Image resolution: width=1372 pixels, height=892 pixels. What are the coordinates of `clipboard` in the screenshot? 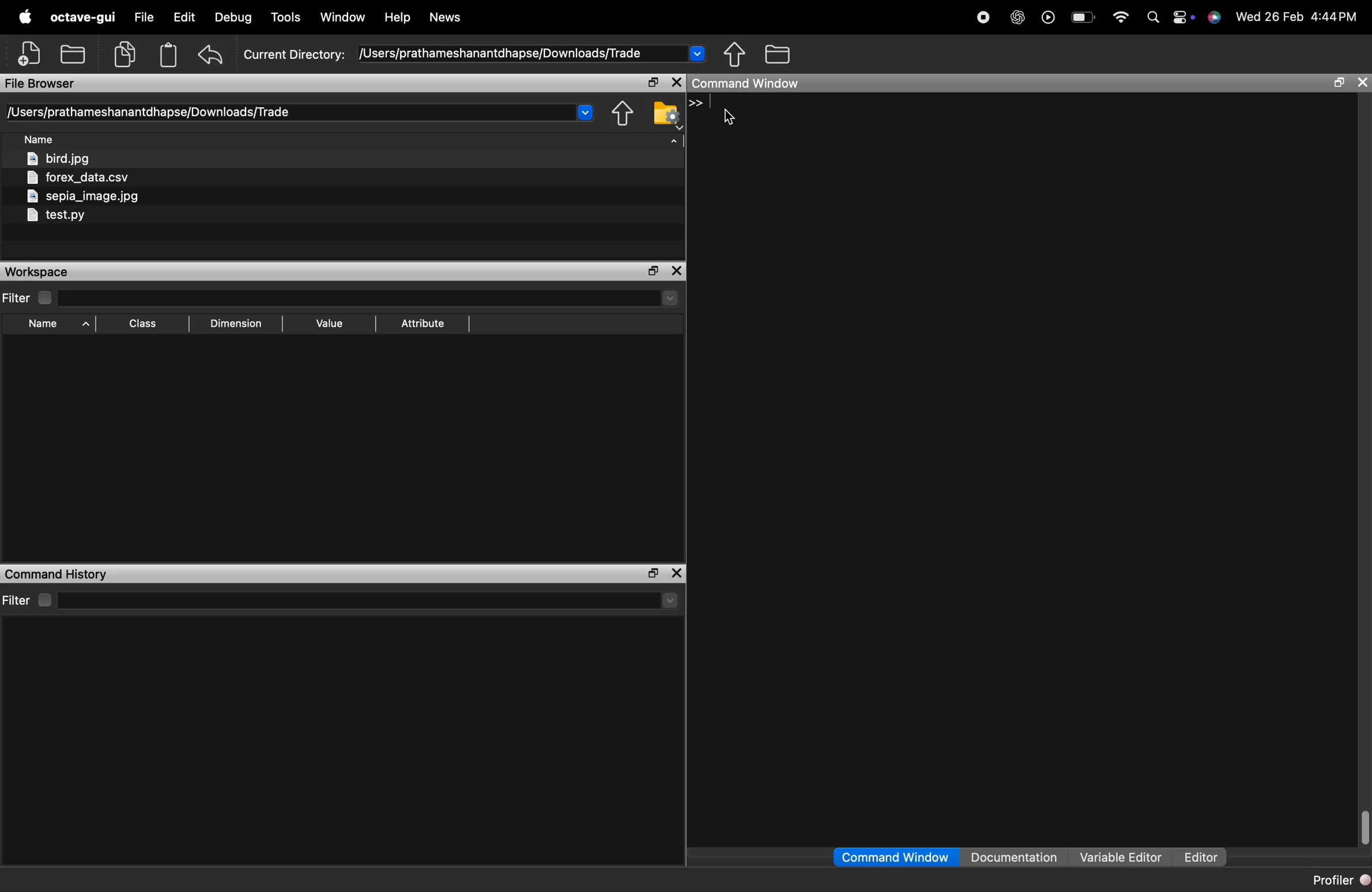 It's located at (168, 55).